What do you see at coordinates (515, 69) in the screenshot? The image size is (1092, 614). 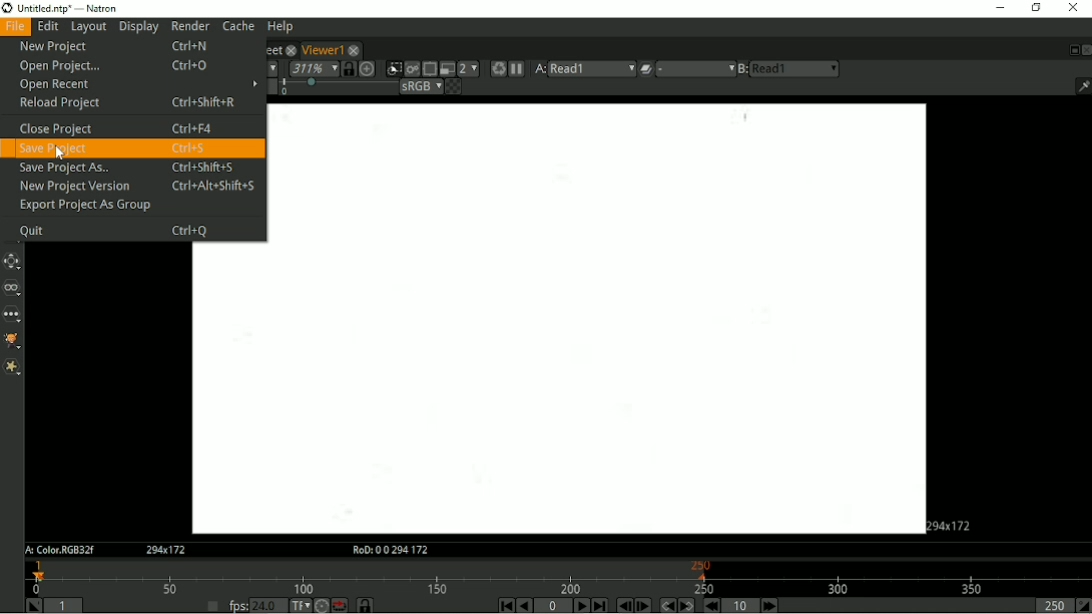 I see `Pause updates` at bounding box center [515, 69].